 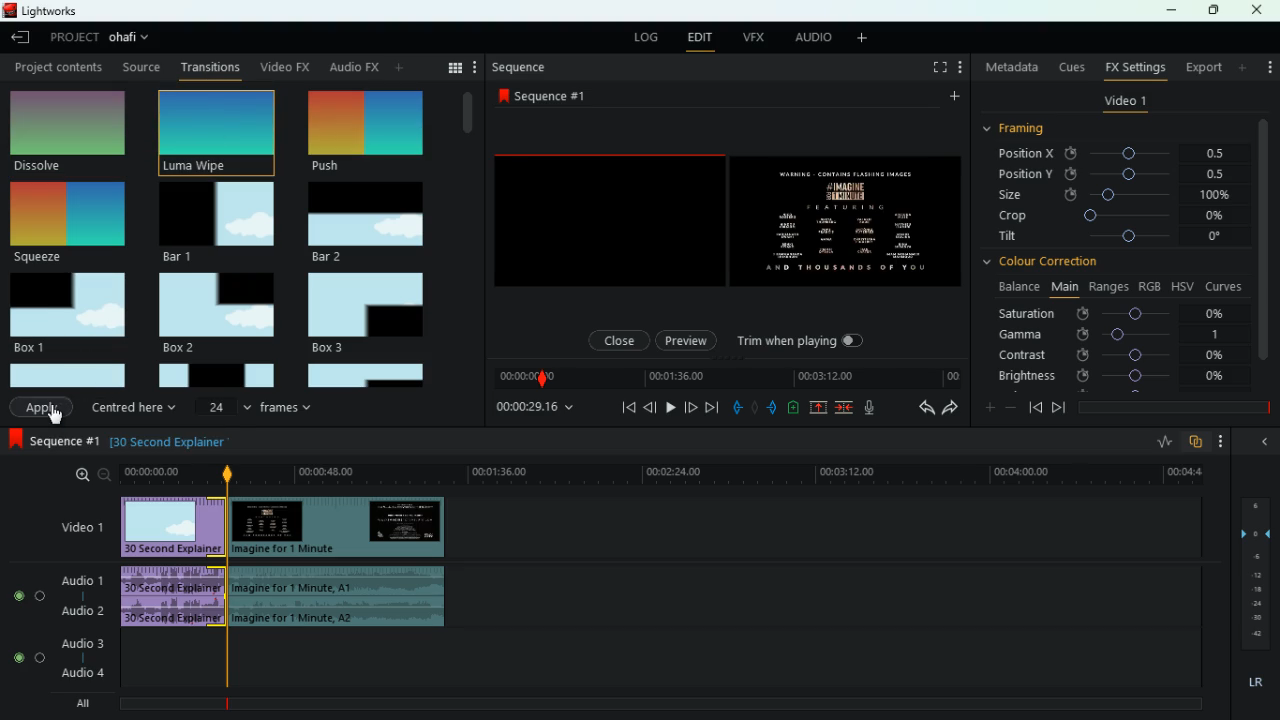 I want to click on frames, so click(x=289, y=406).